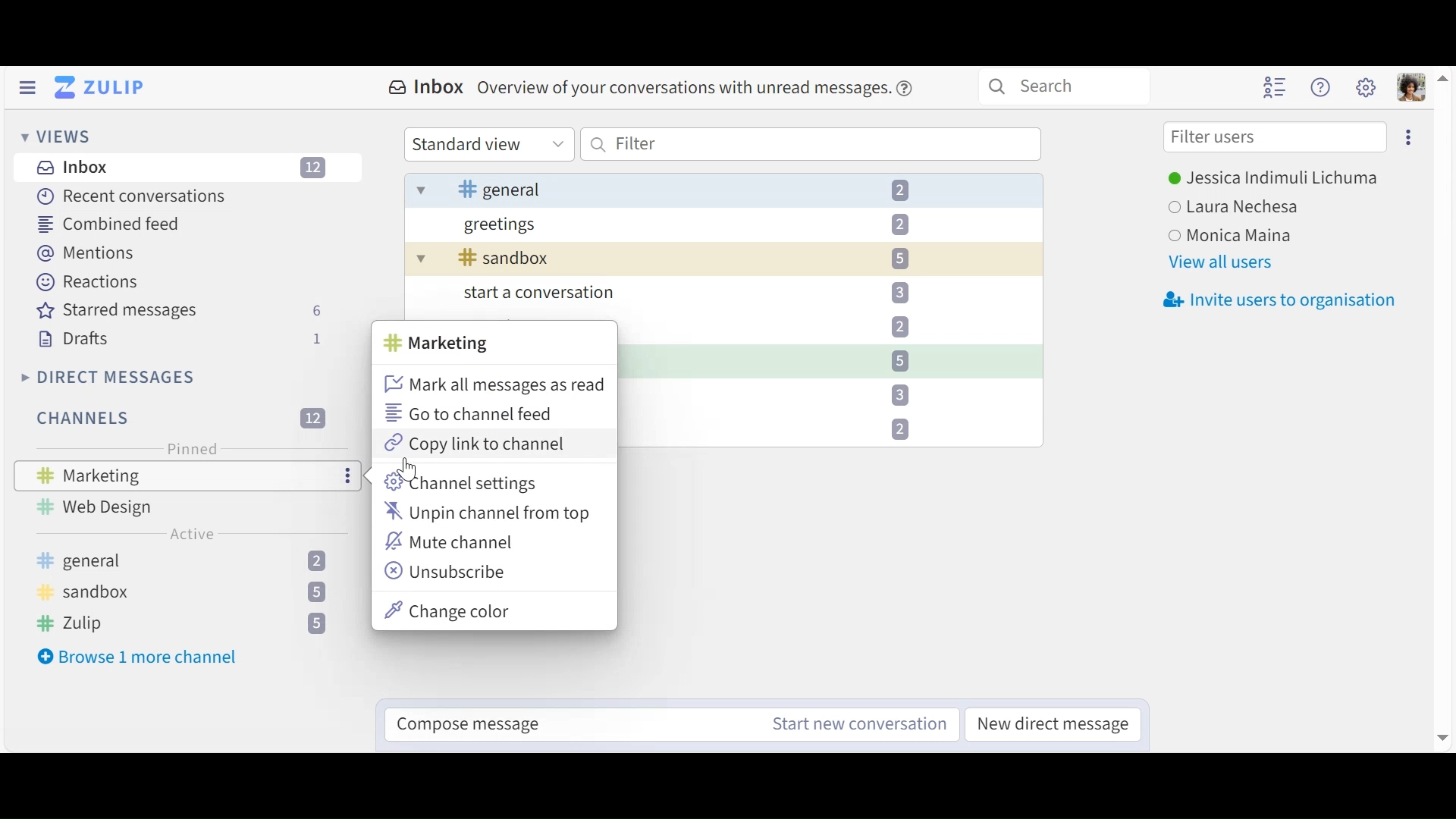 The height and width of the screenshot is (819, 1456). What do you see at coordinates (447, 573) in the screenshot?
I see `Unsubscribe` at bounding box center [447, 573].